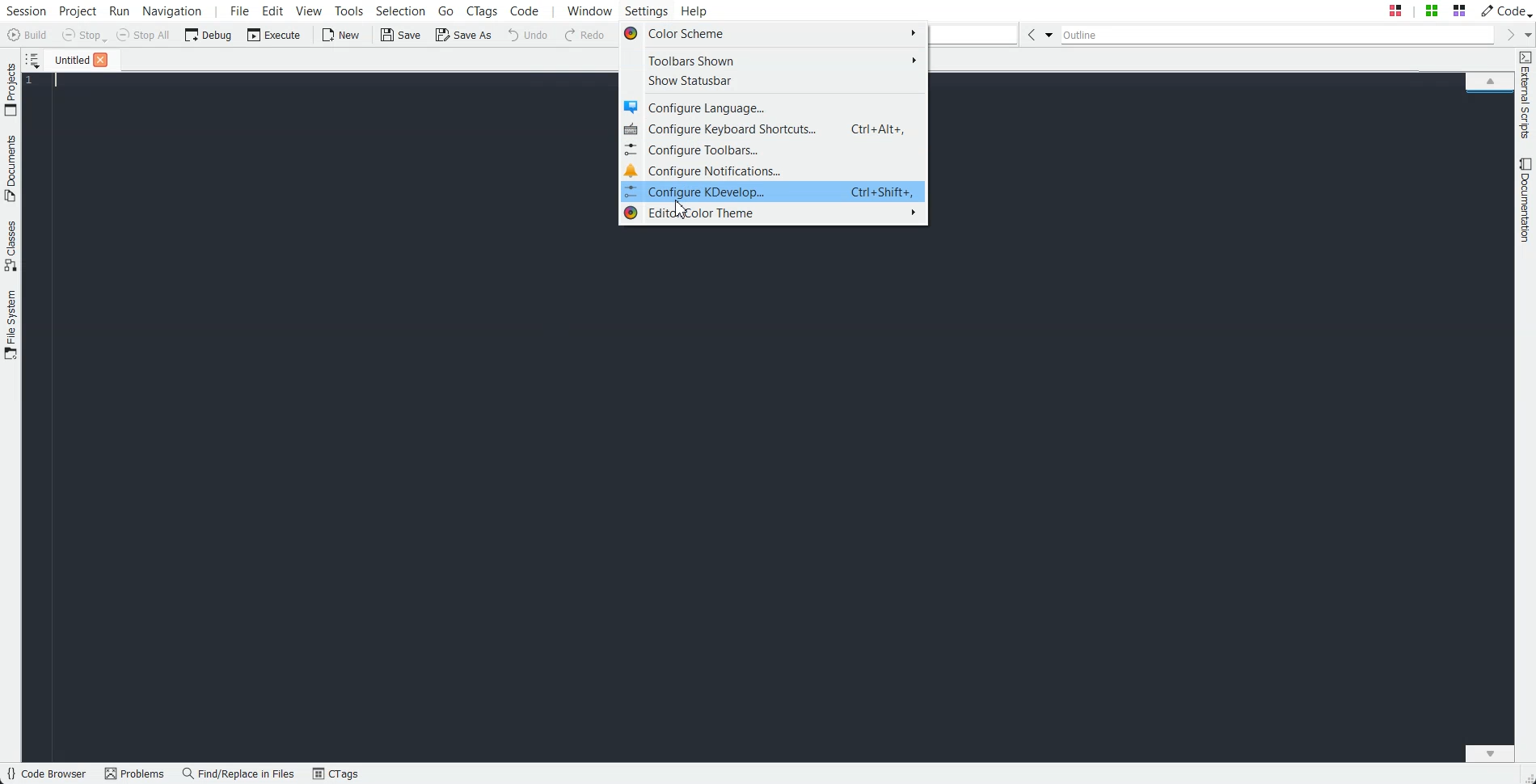 This screenshot has width=1536, height=784. I want to click on Execute, so click(274, 34).